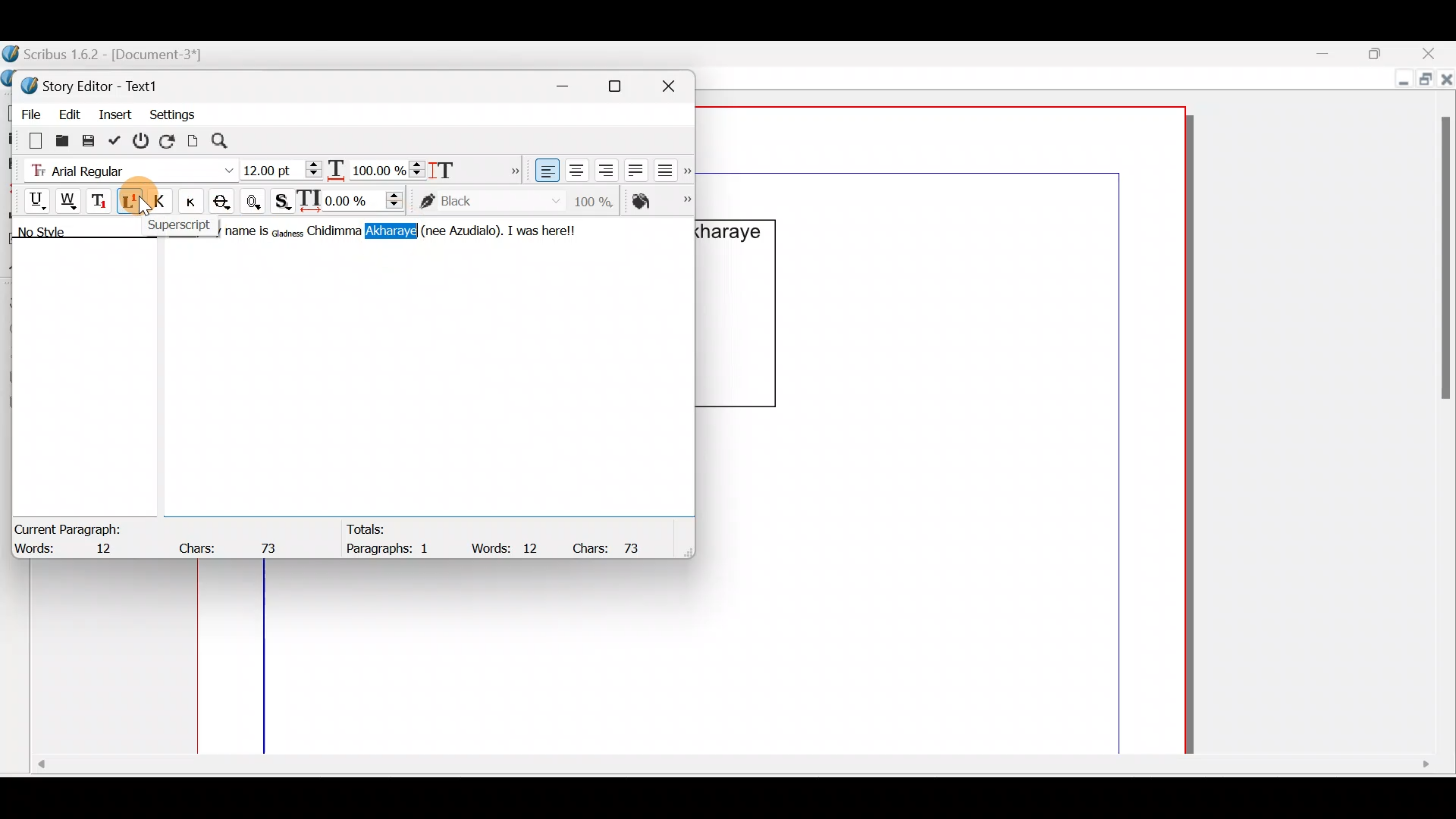 The height and width of the screenshot is (819, 1456). I want to click on Strike out, so click(226, 202).